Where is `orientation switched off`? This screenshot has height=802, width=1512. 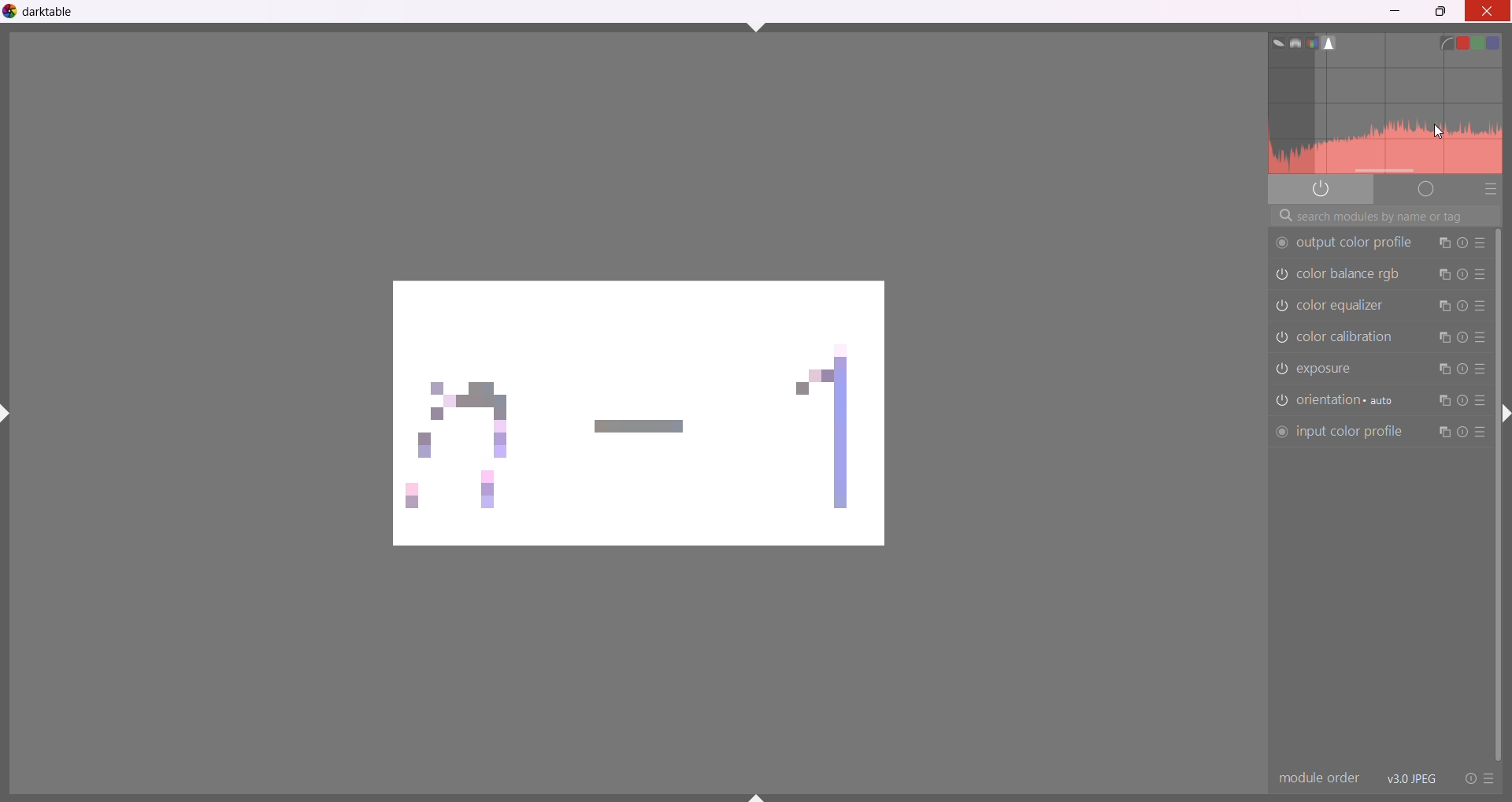
orientation switched off is located at coordinates (1280, 401).